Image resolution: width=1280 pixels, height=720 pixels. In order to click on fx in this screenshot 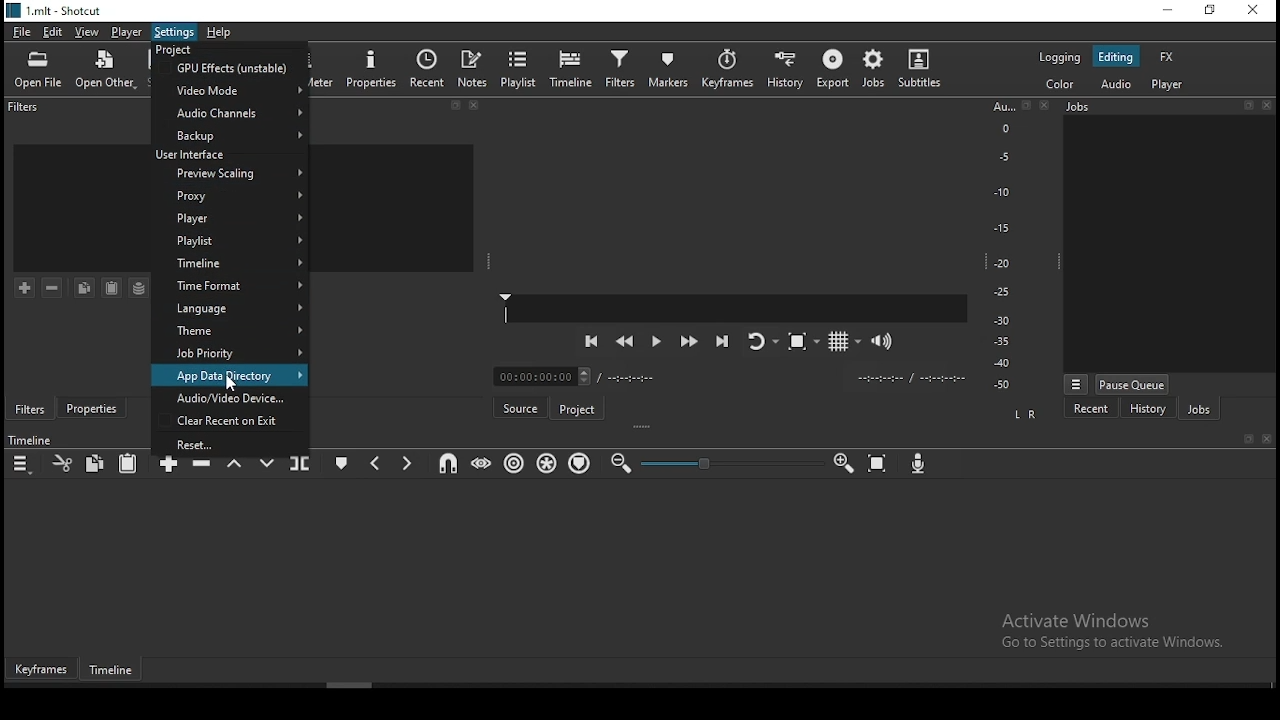, I will do `click(1167, 56)`.